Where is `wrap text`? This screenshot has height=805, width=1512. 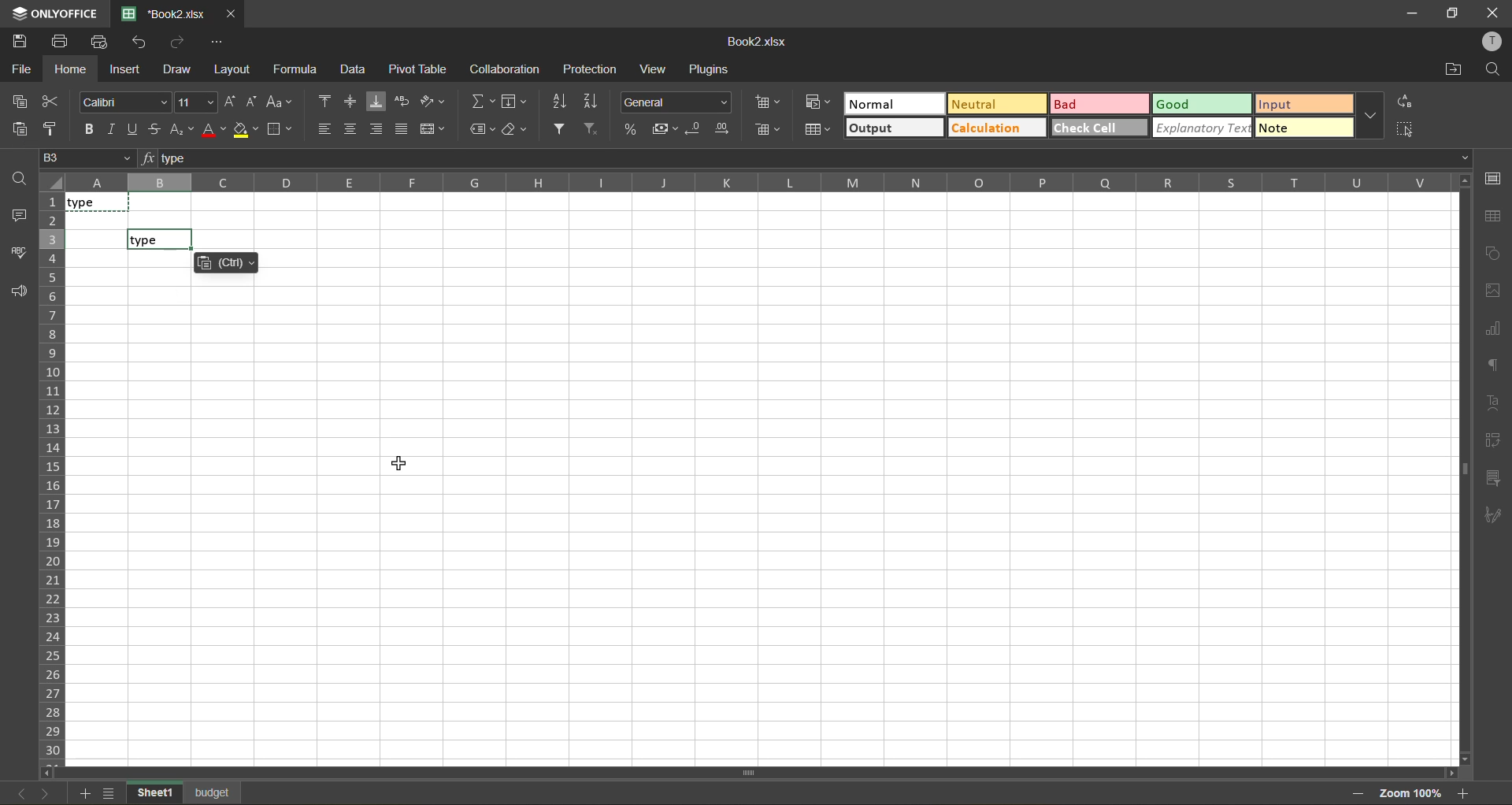
wrap text is located at coordinates (402, 101).